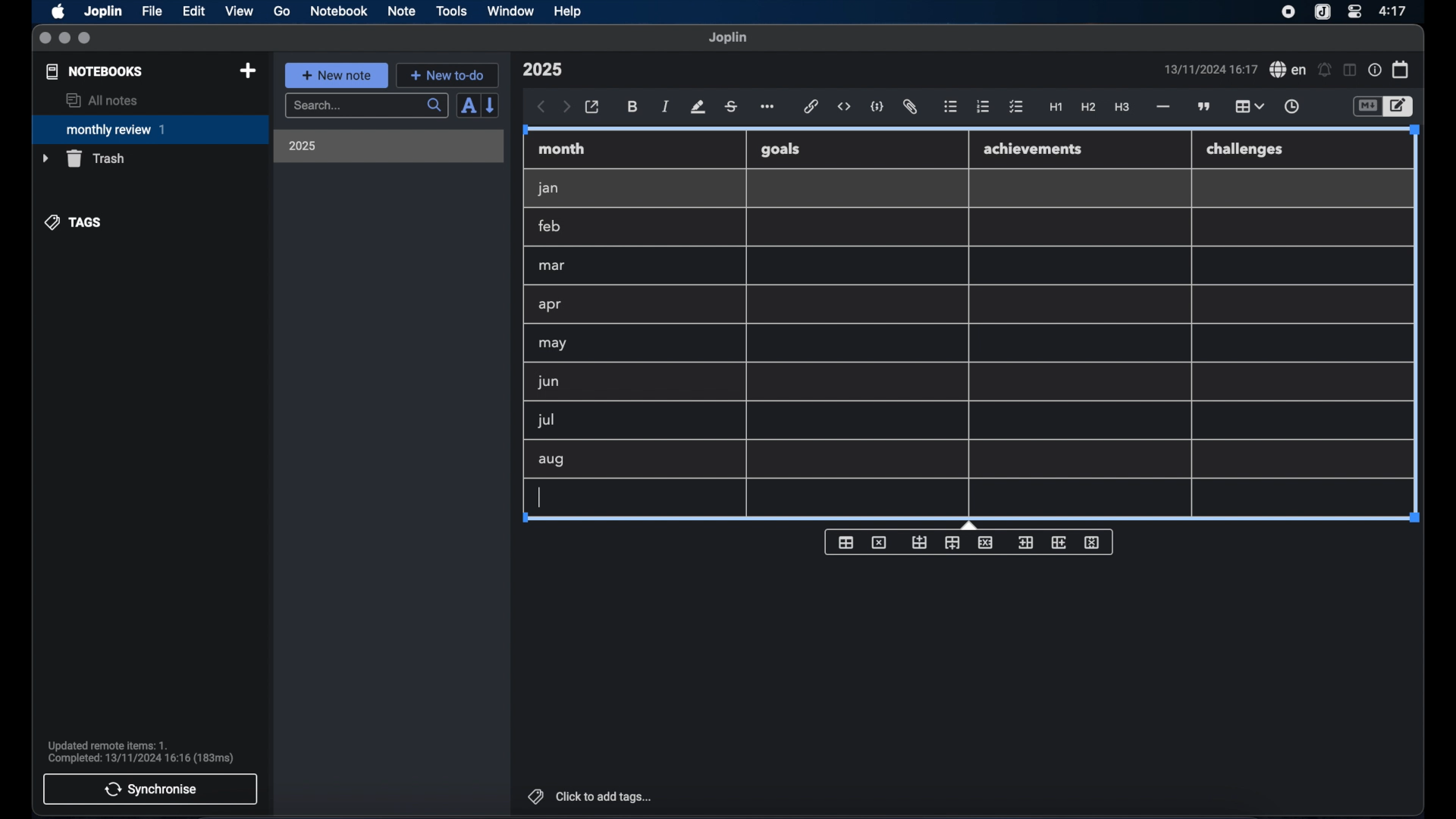  What do you see at coordinates (1401, 107) in the screenshot?
I see `toggle editor` at bounding box center [1401, 107].